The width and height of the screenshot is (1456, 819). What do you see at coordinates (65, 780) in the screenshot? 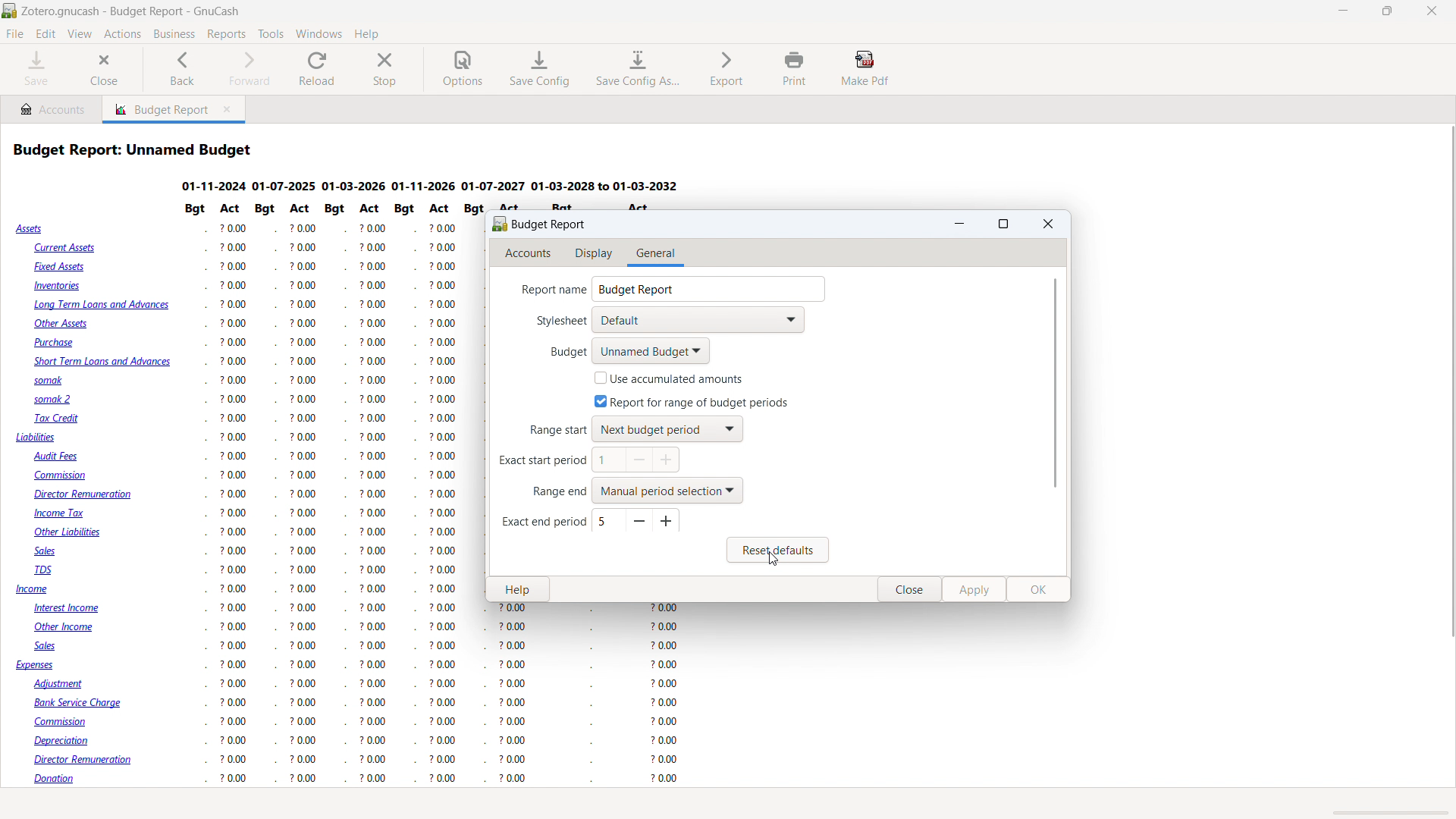
I see `‘Donation` at bounding box center [65, 780].